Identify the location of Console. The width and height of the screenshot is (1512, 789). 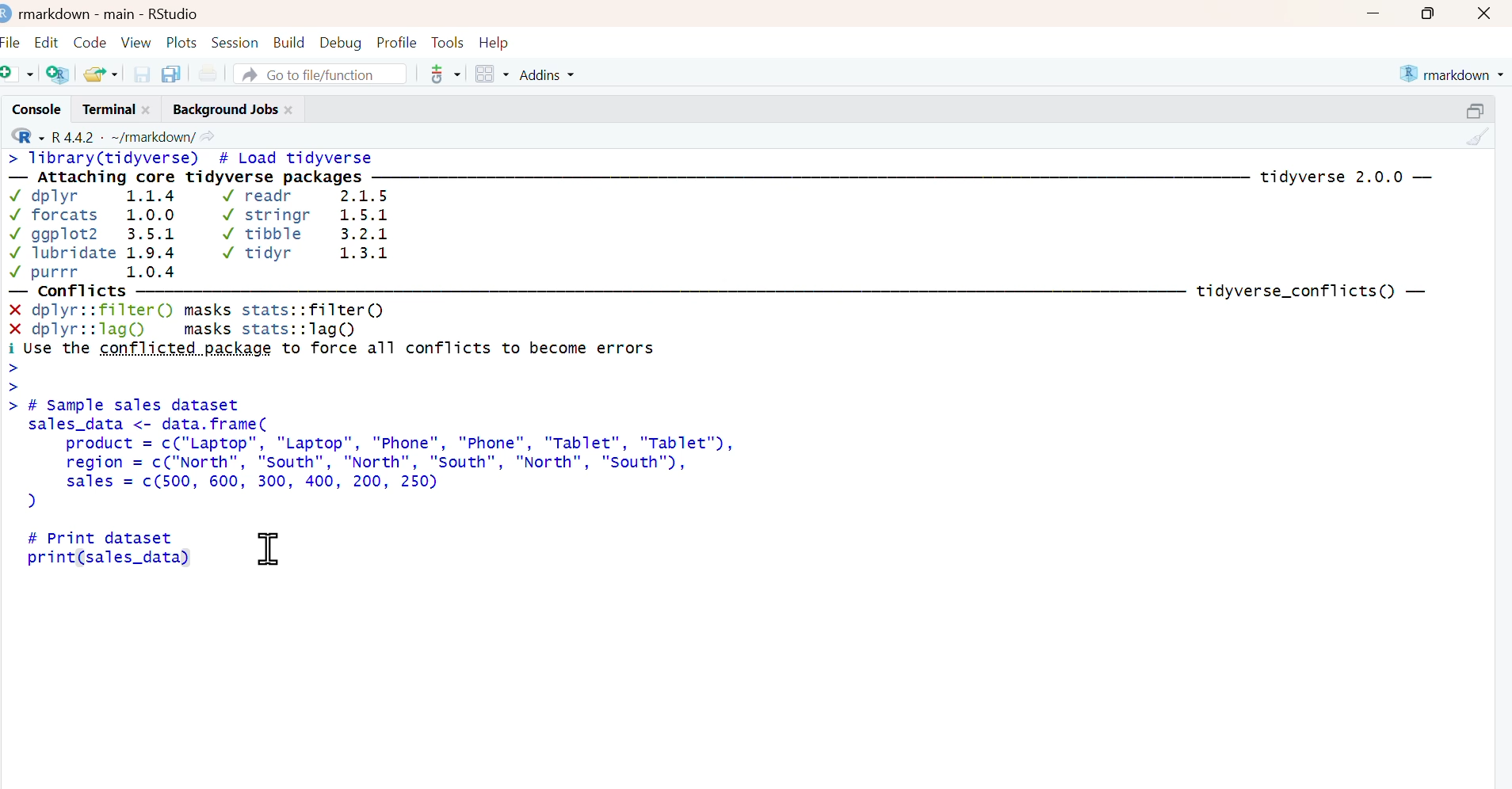
(33, 109).